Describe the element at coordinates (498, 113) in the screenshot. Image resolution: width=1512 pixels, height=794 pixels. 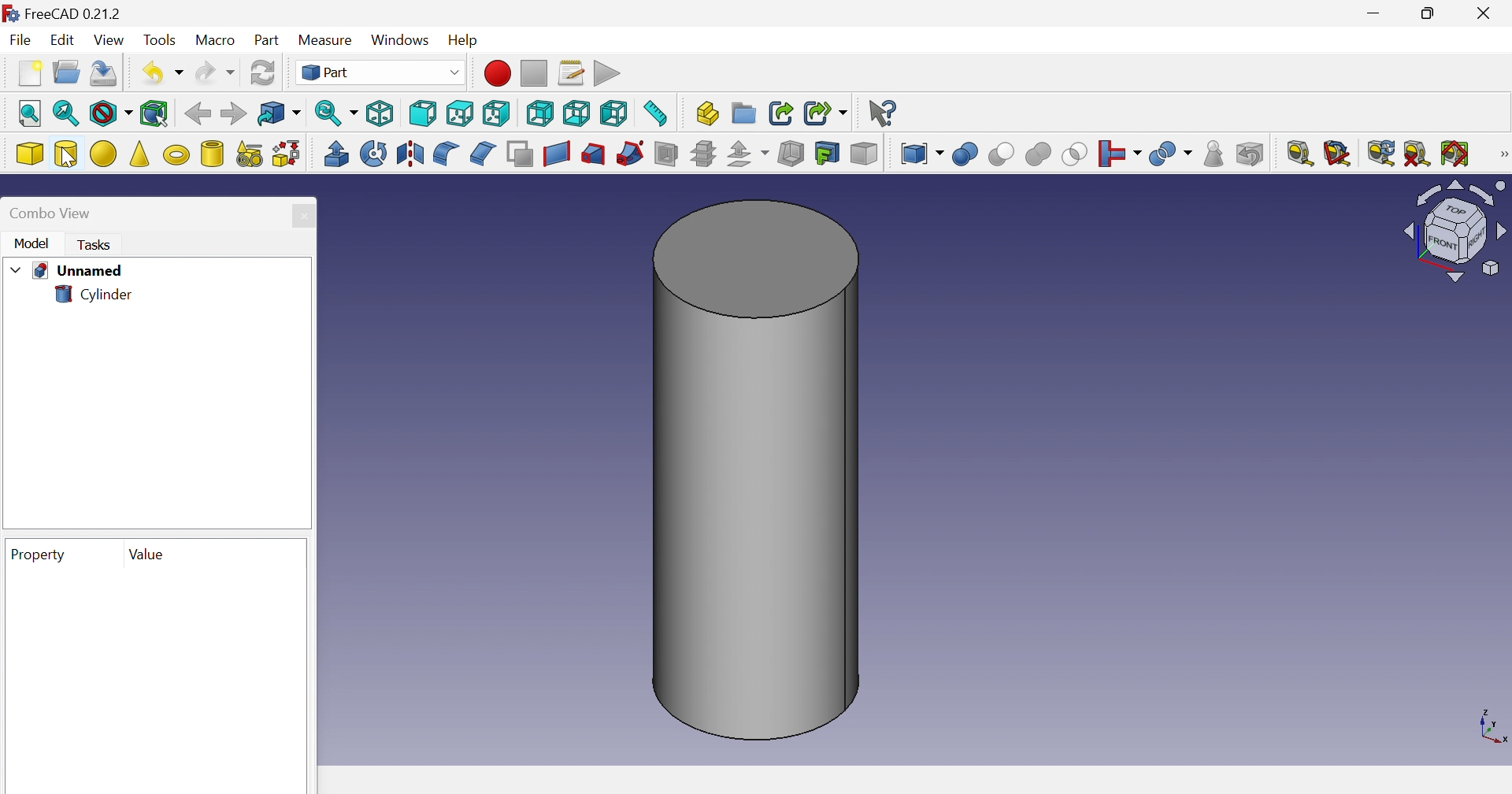
I see `Right` at that location.